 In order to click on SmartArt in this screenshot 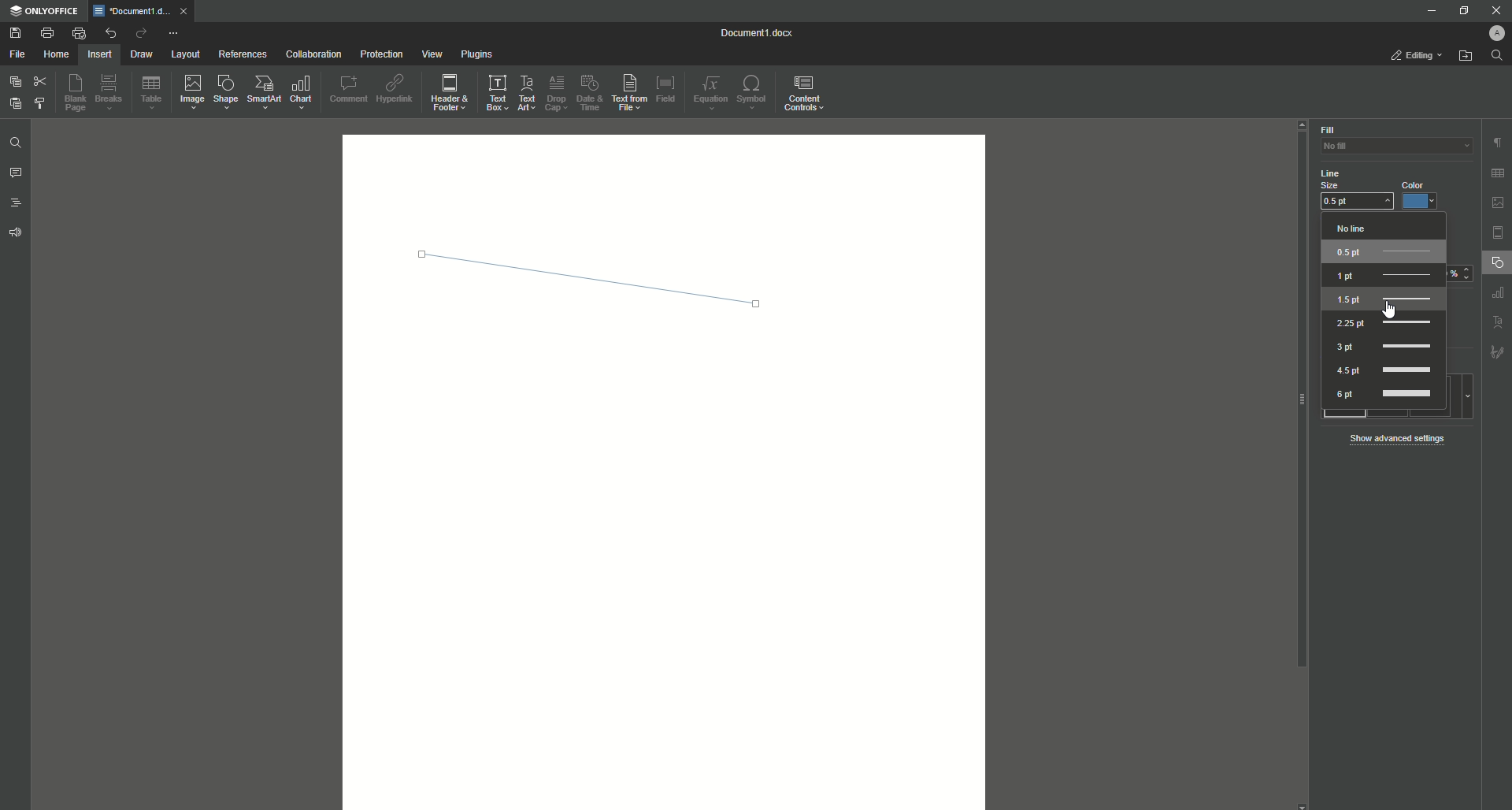, I will do `click(265, 93)`.